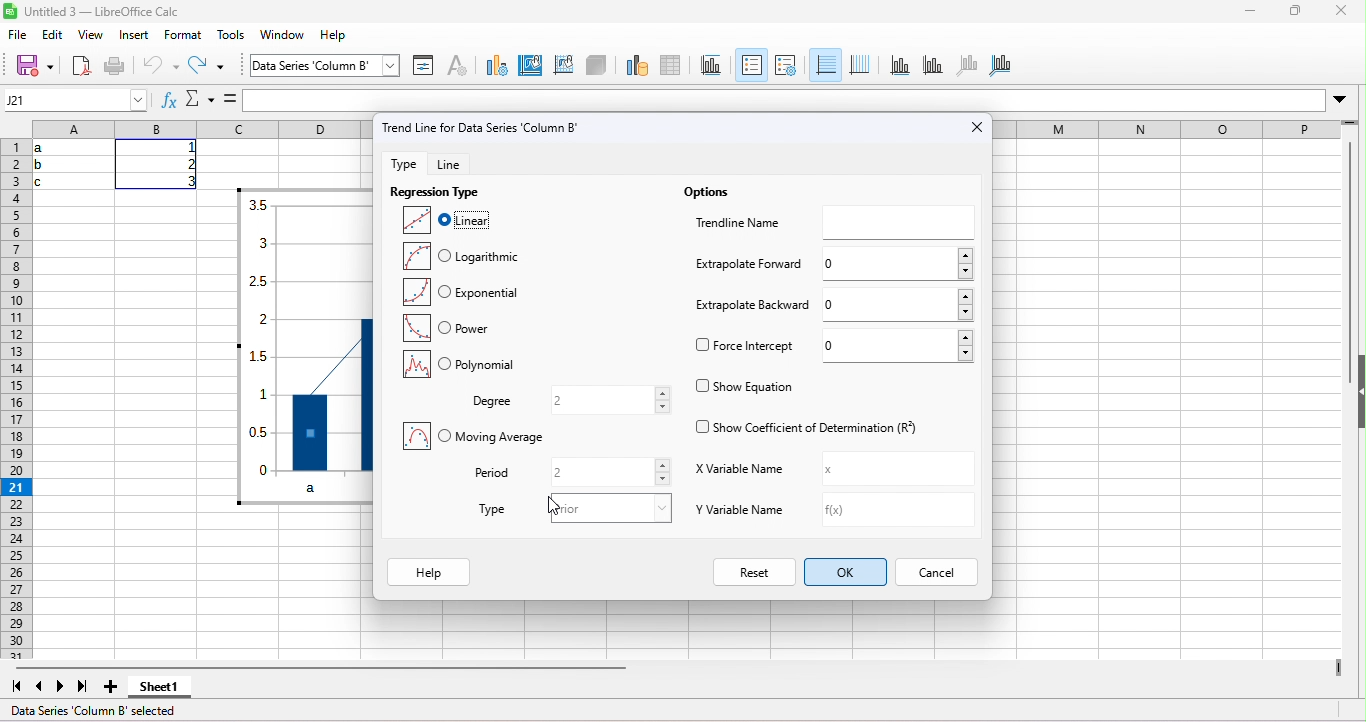  I want to click on vertical scroll bar, so click(1346, 262).